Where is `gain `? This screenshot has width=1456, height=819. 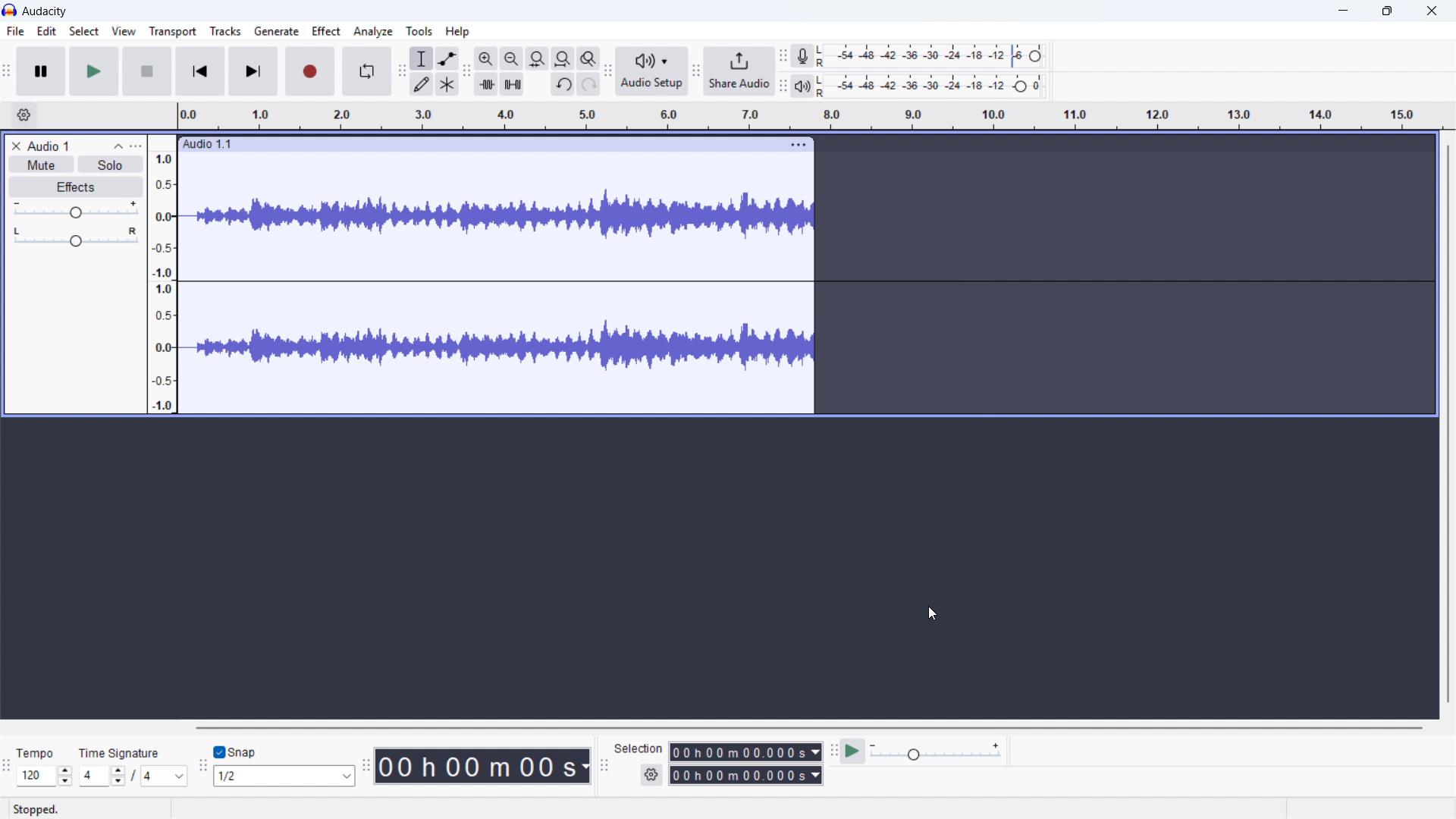
gain  is located at coordinates (74, 211).